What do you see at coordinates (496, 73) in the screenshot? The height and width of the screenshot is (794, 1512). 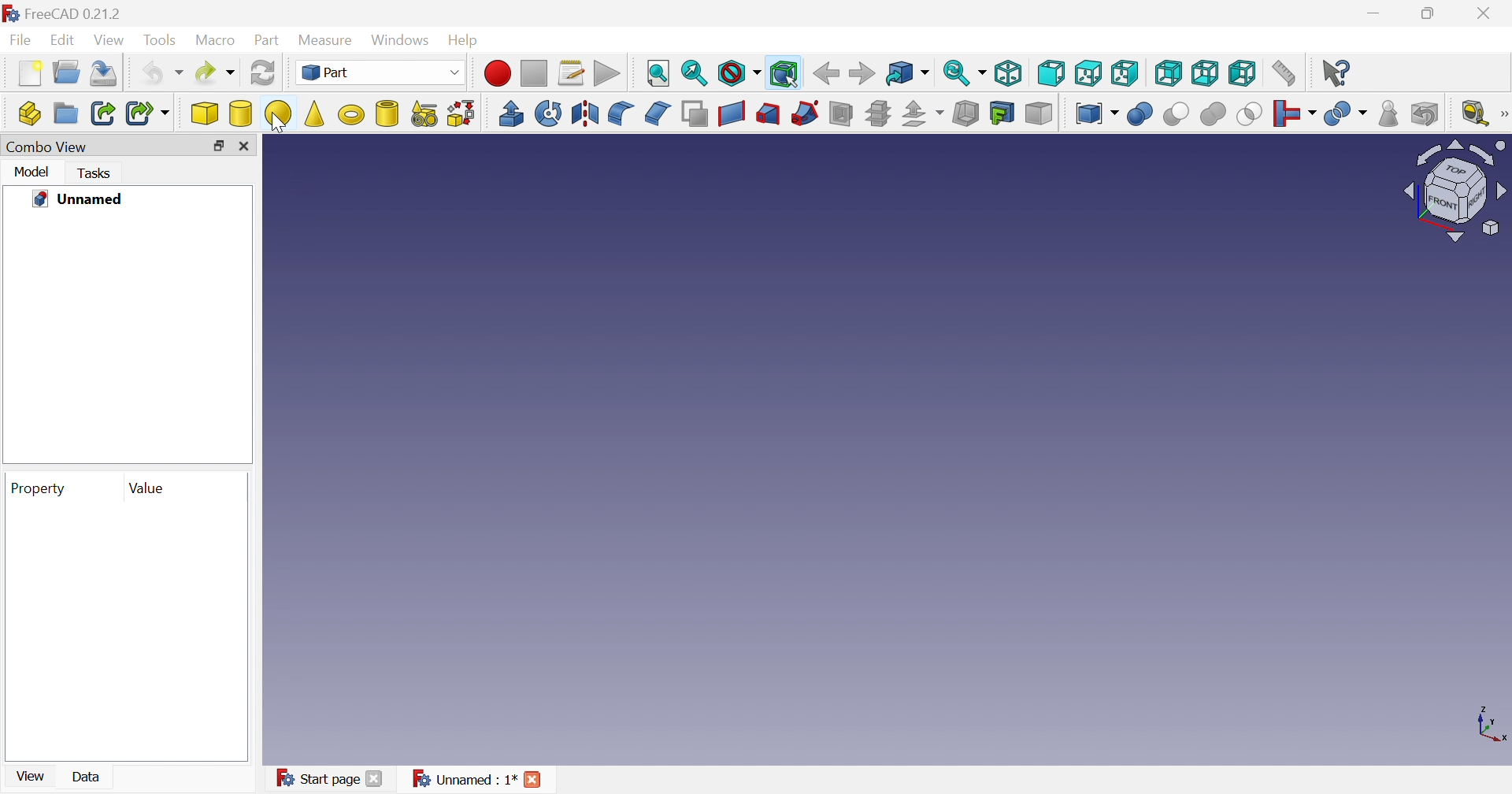 I see `Macro recording` at bounding box center [496, 73].